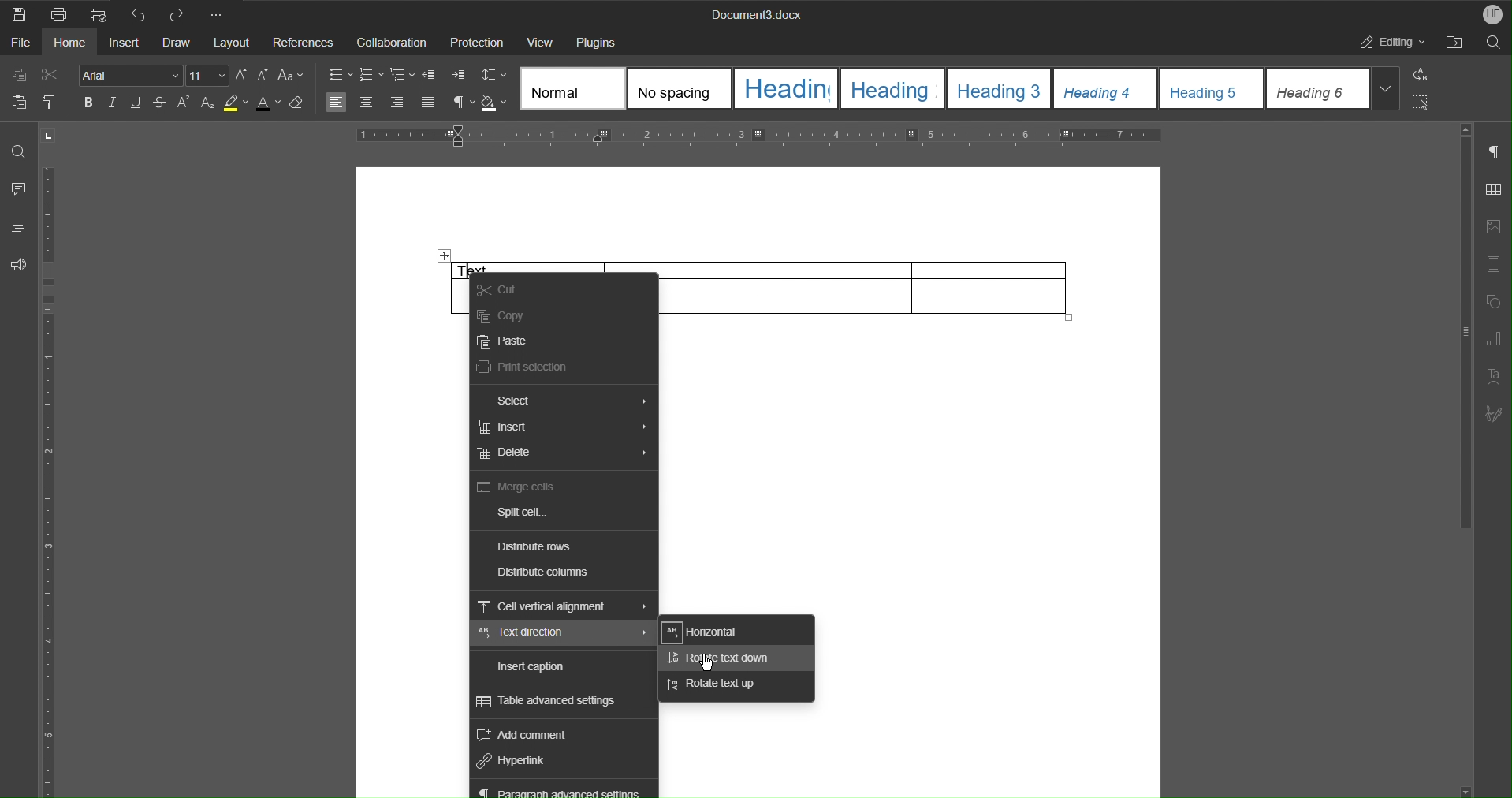  Describe the element at coordinates (721, 659) in the screenshot. I see `Rotate text down` at that location.